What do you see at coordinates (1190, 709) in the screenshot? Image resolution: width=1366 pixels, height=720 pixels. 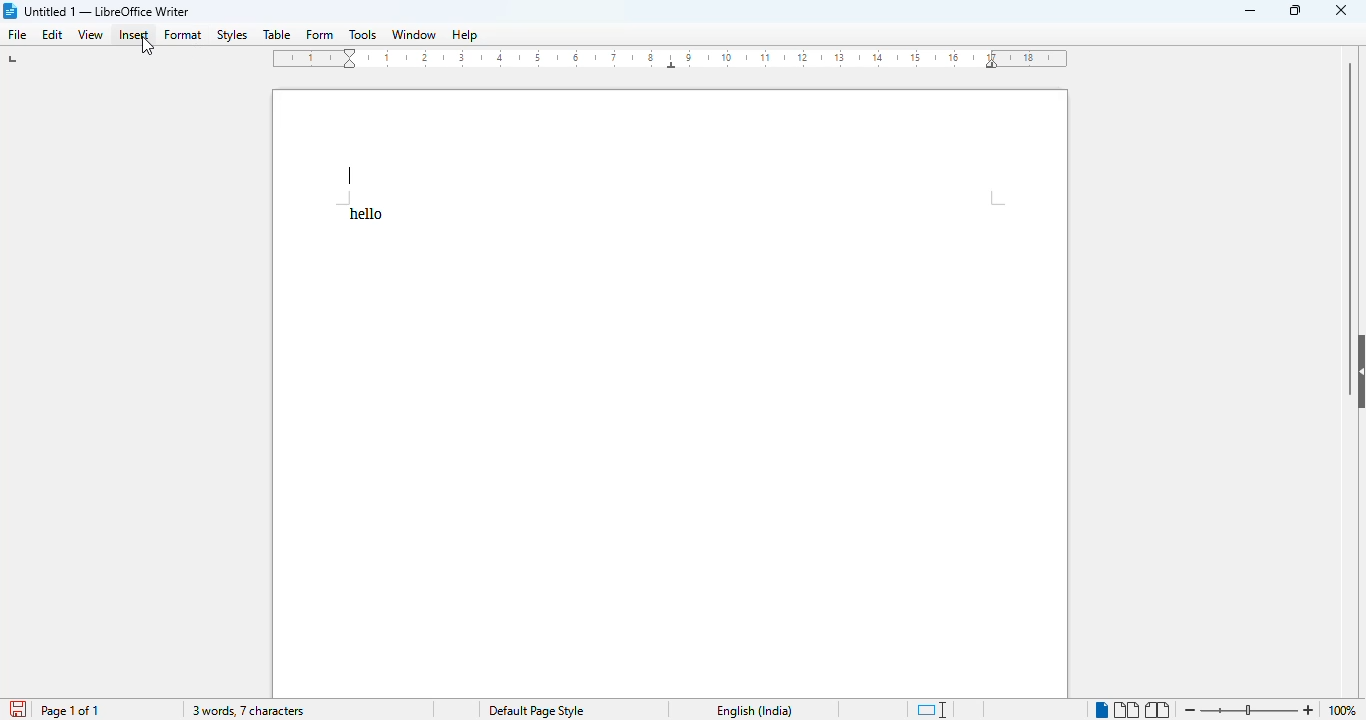 I see `zoom out` at bounding box center [1190, 709].